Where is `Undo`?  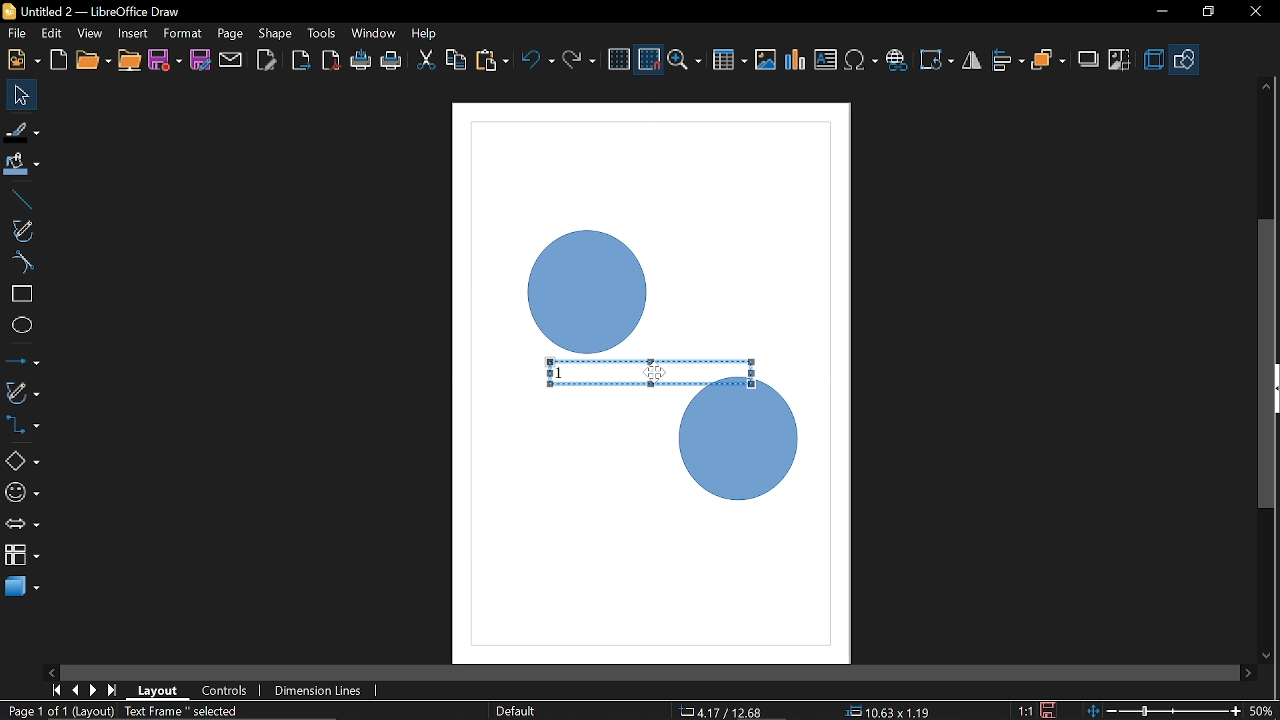 Undo is located at coordinates (539, 62).